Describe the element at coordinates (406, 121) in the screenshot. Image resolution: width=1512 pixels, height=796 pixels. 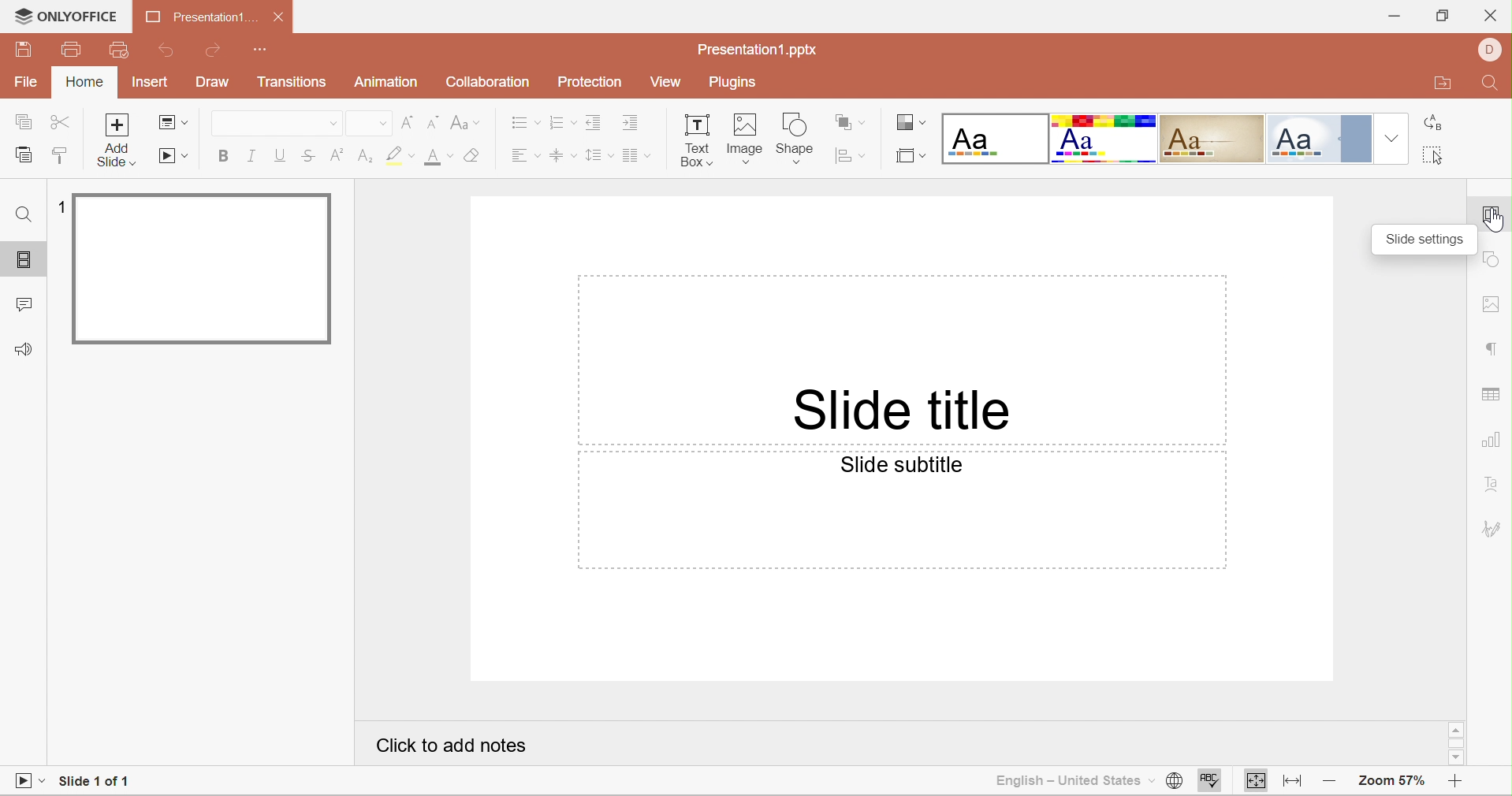
I see `Increment font size` at that location.